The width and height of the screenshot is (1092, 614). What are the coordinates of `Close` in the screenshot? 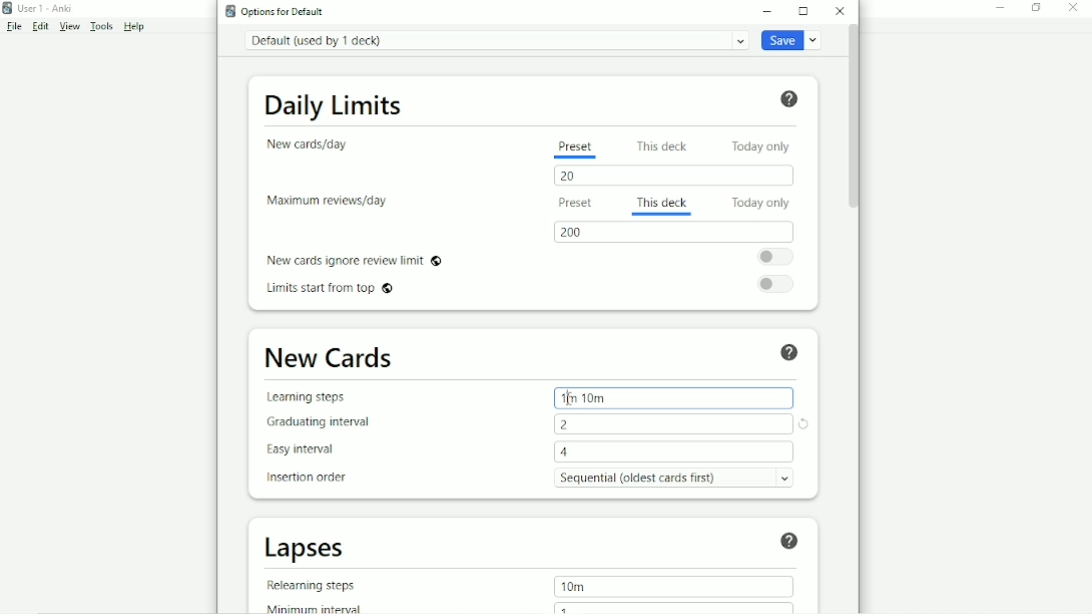 It's located at (1076, 8).